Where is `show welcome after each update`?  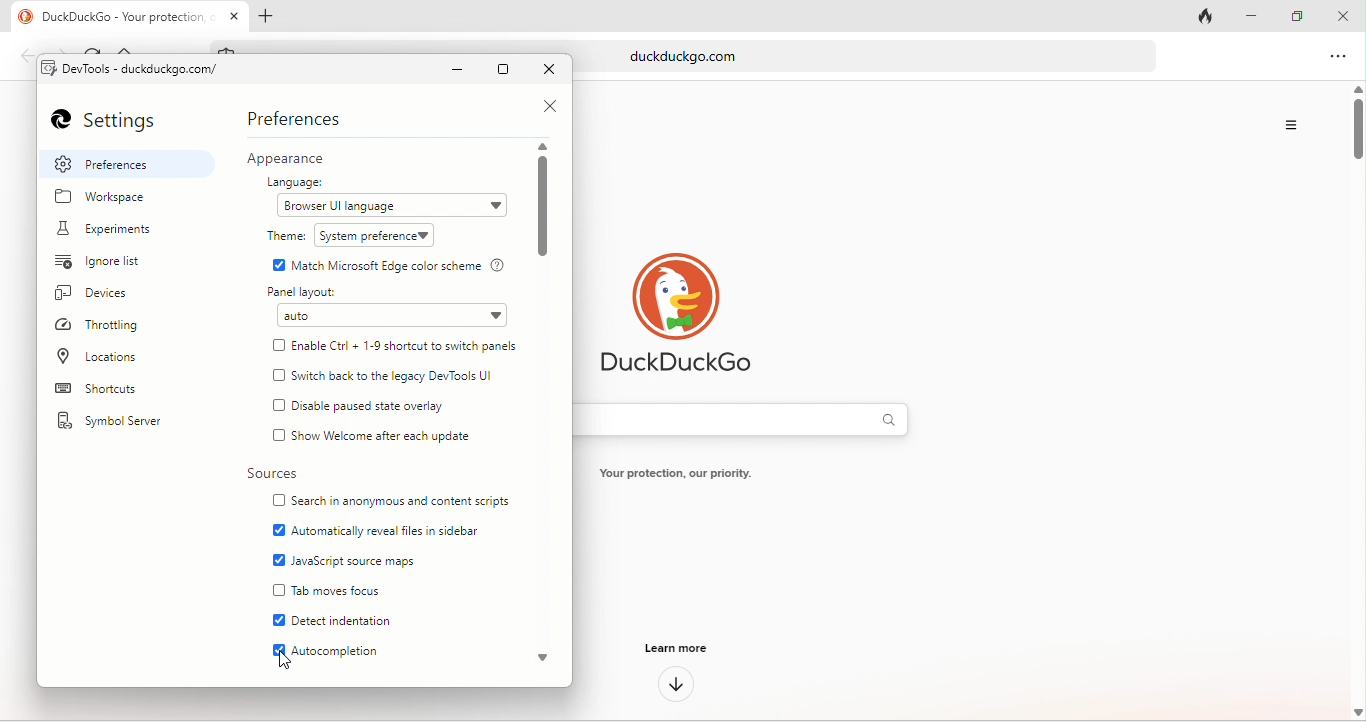 show welcome after each update is located at coordinates (390, 434).